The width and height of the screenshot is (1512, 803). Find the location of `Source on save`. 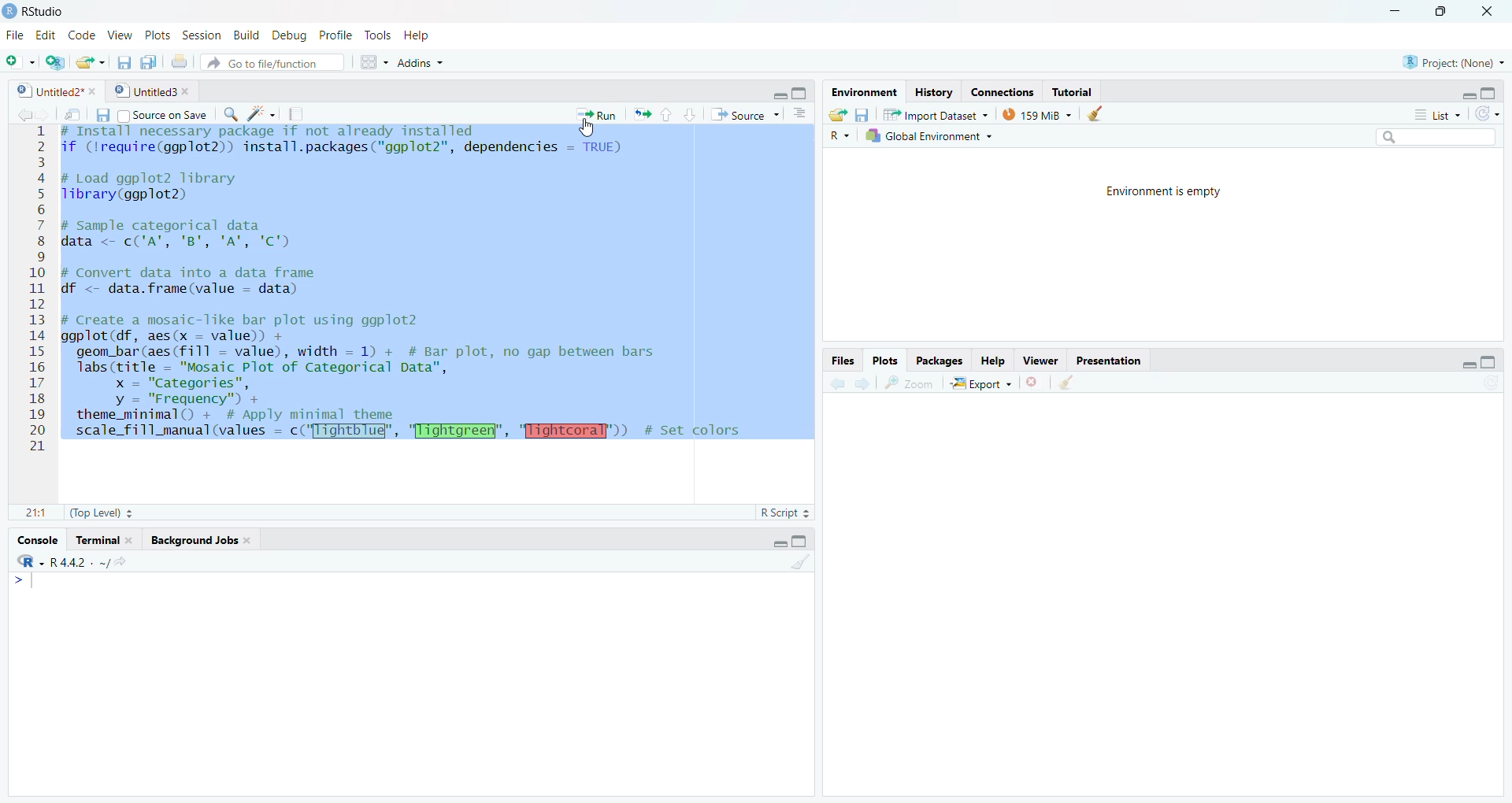

Source on save is located at coordinates (161, 115).